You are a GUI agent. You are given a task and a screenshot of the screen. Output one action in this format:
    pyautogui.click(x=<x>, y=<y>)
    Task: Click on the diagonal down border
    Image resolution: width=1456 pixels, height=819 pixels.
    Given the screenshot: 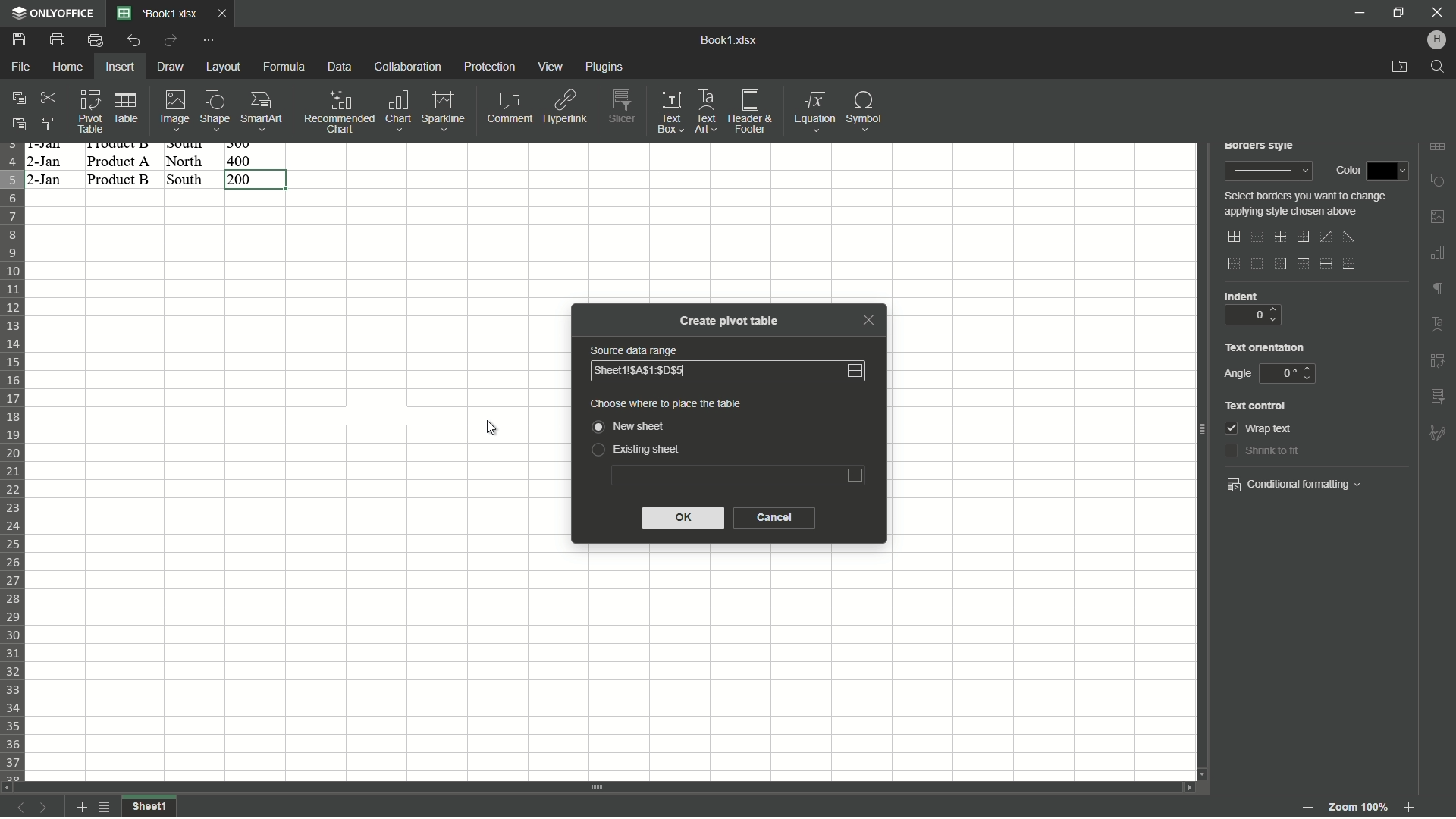 What is the action you would take?
    pyautogui.click(x=1353, y=237)
    